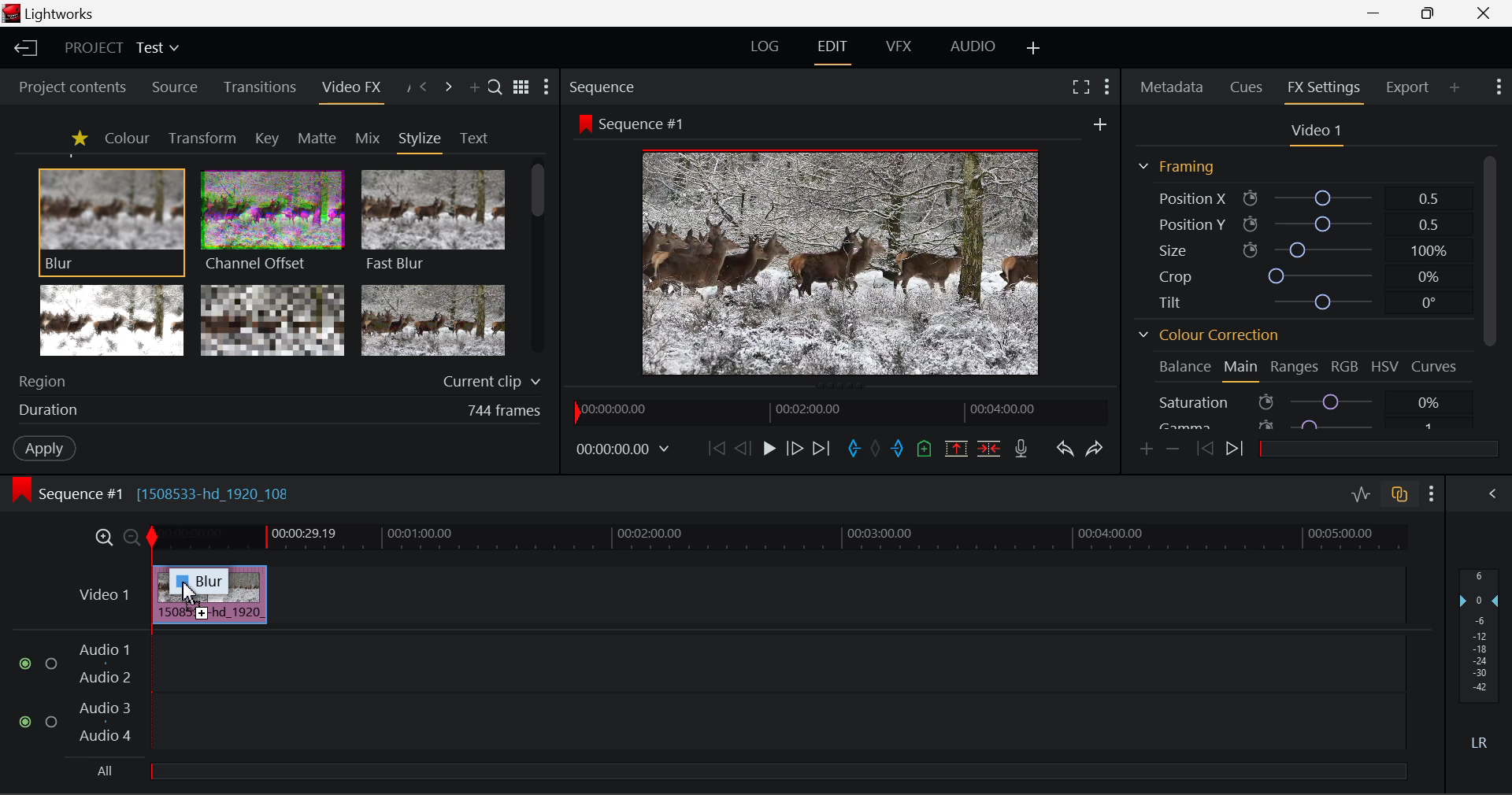  What do you see at coordinates (852, 446) in the screenshot?
I see `Mark In` at bounding box center [852, 446].